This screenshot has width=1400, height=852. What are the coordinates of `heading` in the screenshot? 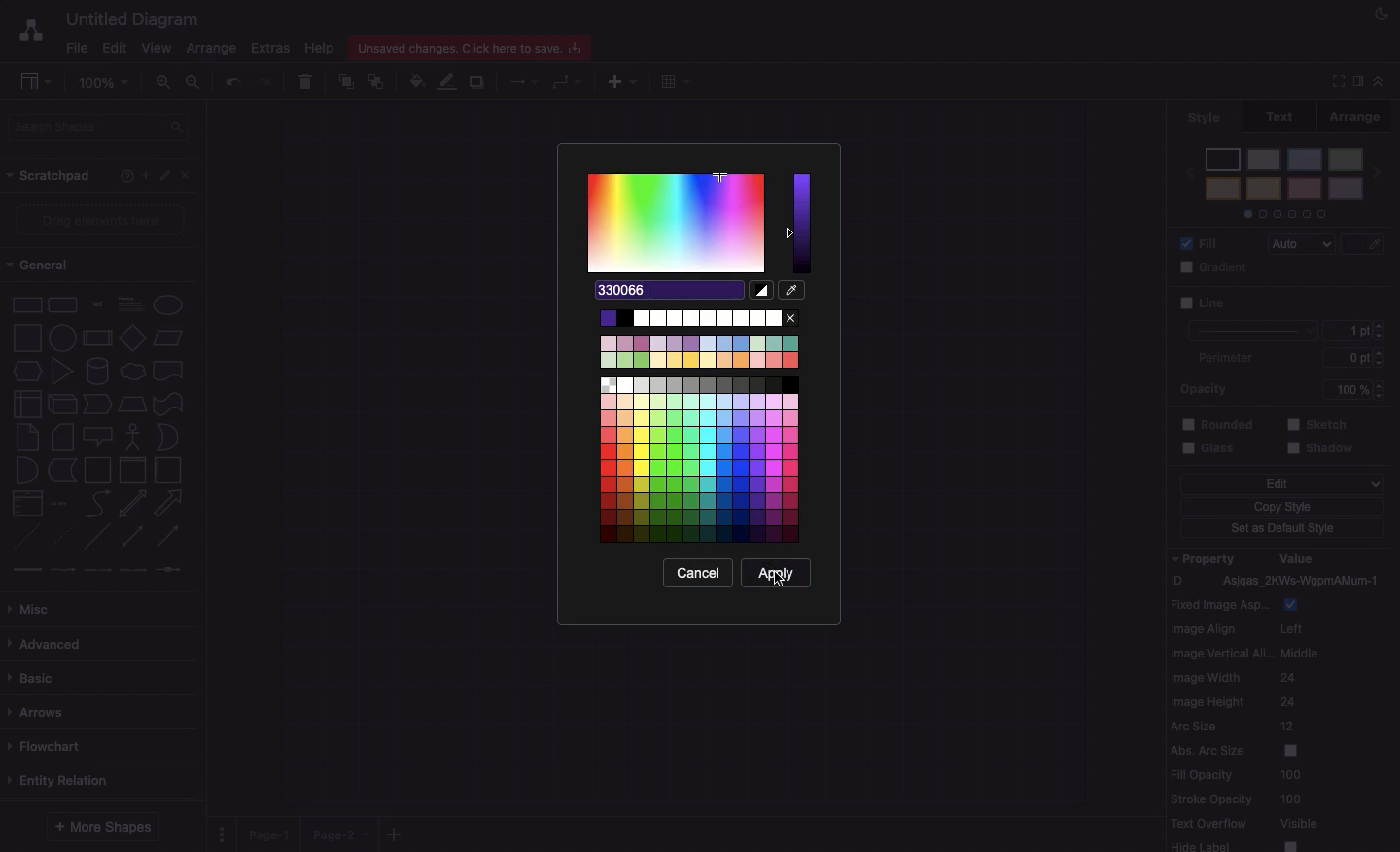 It's located at (130, 302).